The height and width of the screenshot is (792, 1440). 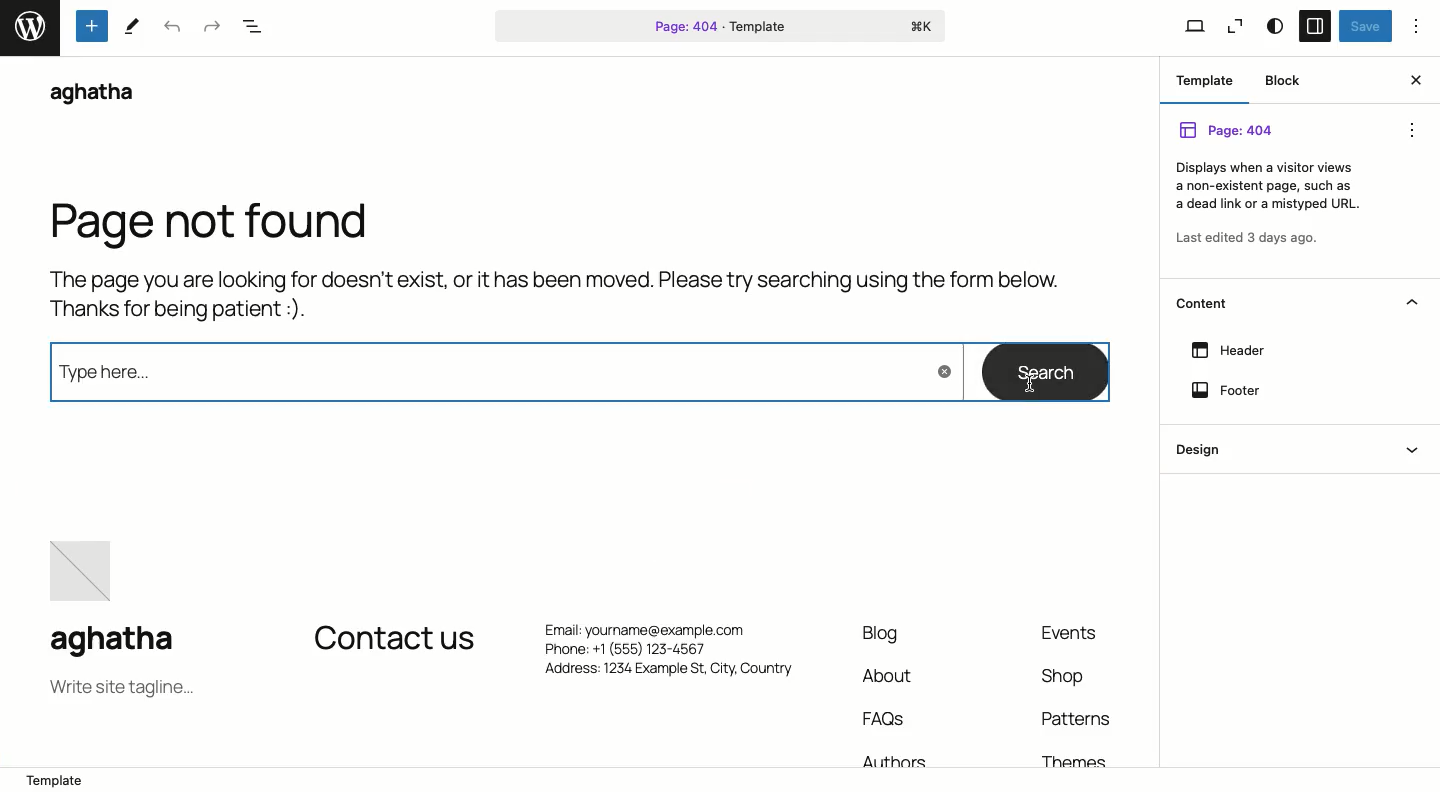 I want to click on Undo, so click(x=171, y=27).